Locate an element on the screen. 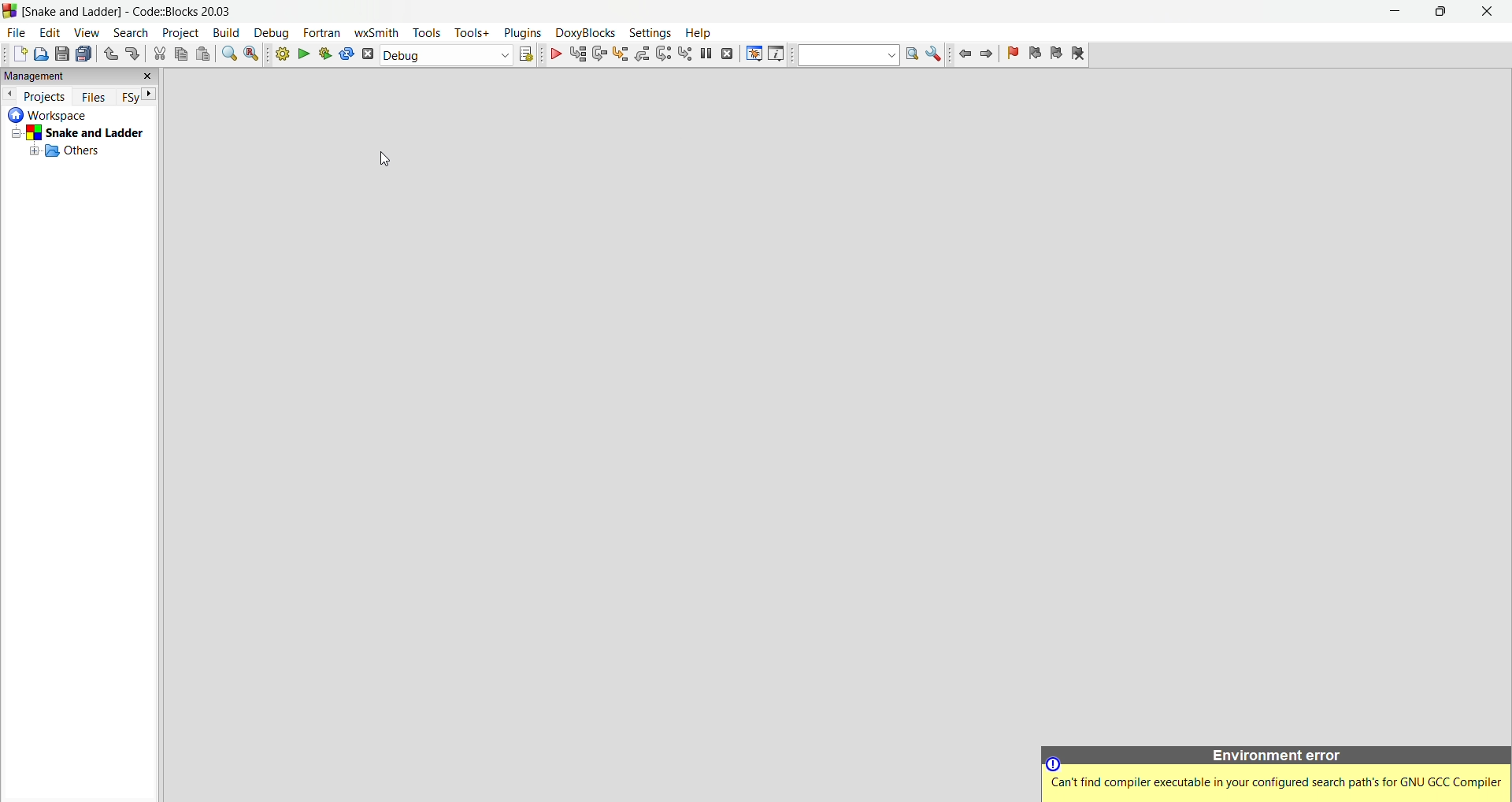 The height and width of the screenshot is (802, 1512). redo is located at coordinates (135, 54).